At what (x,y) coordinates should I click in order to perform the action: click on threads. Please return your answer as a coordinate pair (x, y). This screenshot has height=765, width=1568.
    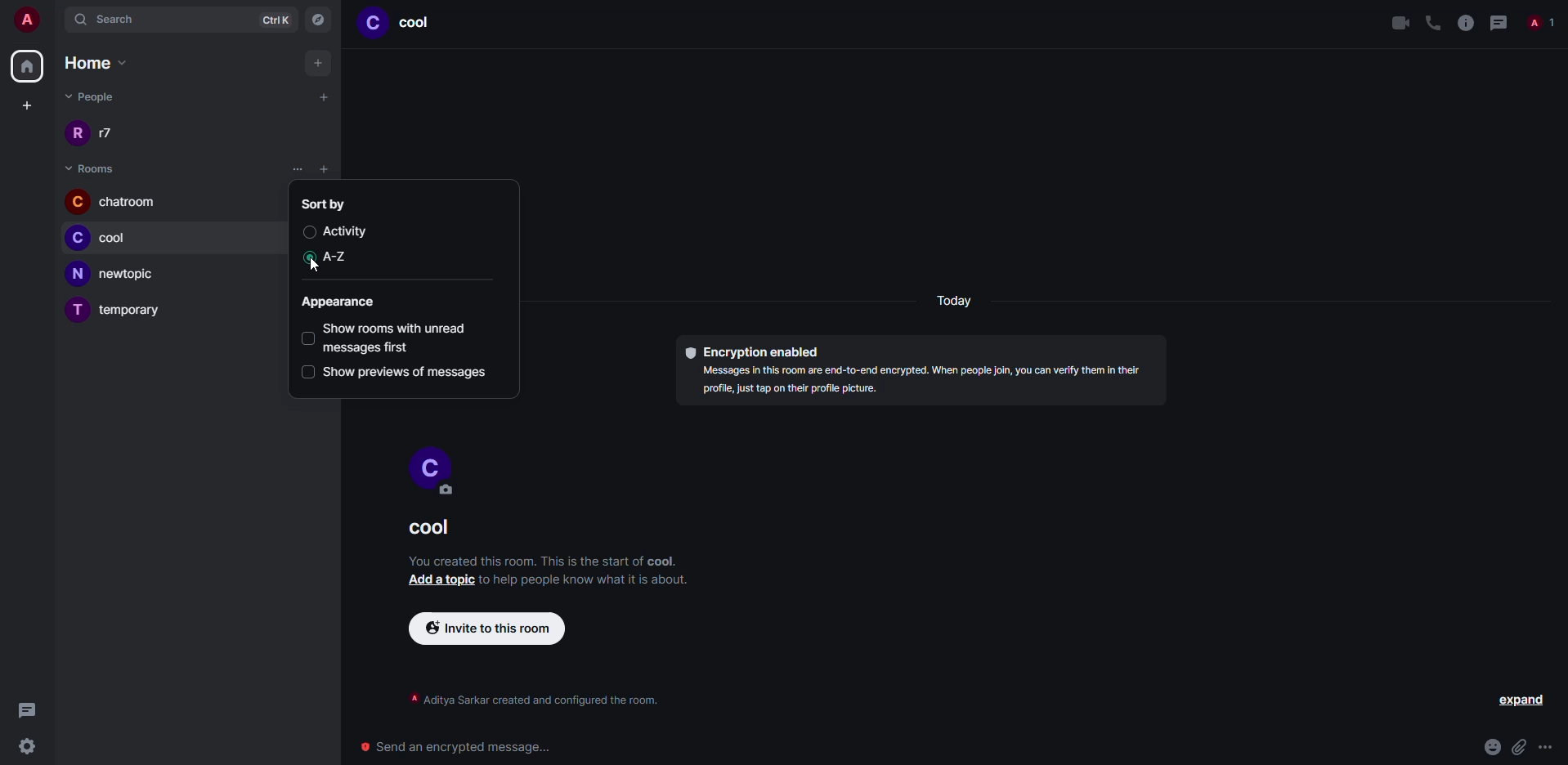
    Looking at the image, I should click on (1497, 22).